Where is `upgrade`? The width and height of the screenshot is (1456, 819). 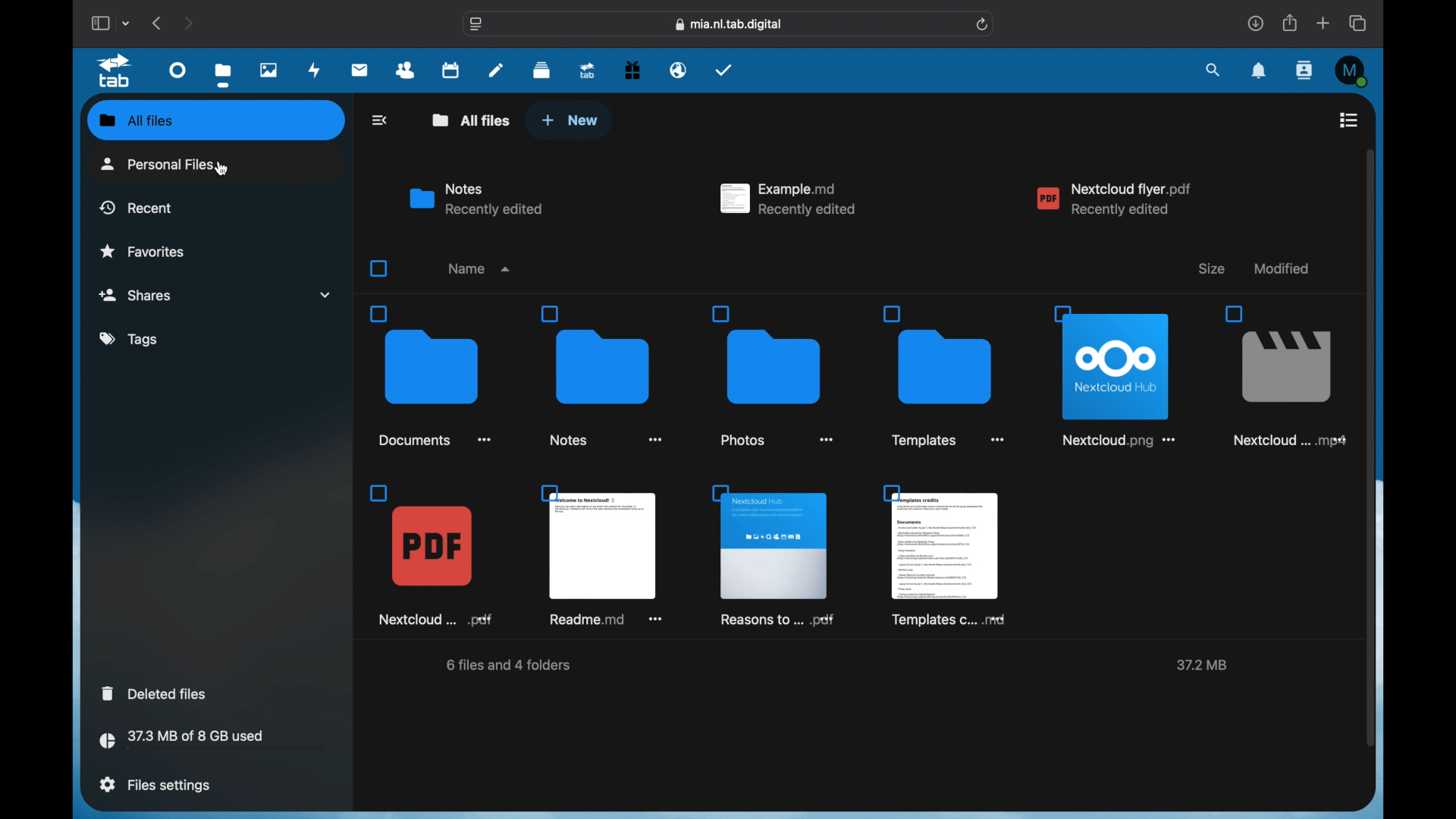
upgrade is located at coordinates (588, 70).